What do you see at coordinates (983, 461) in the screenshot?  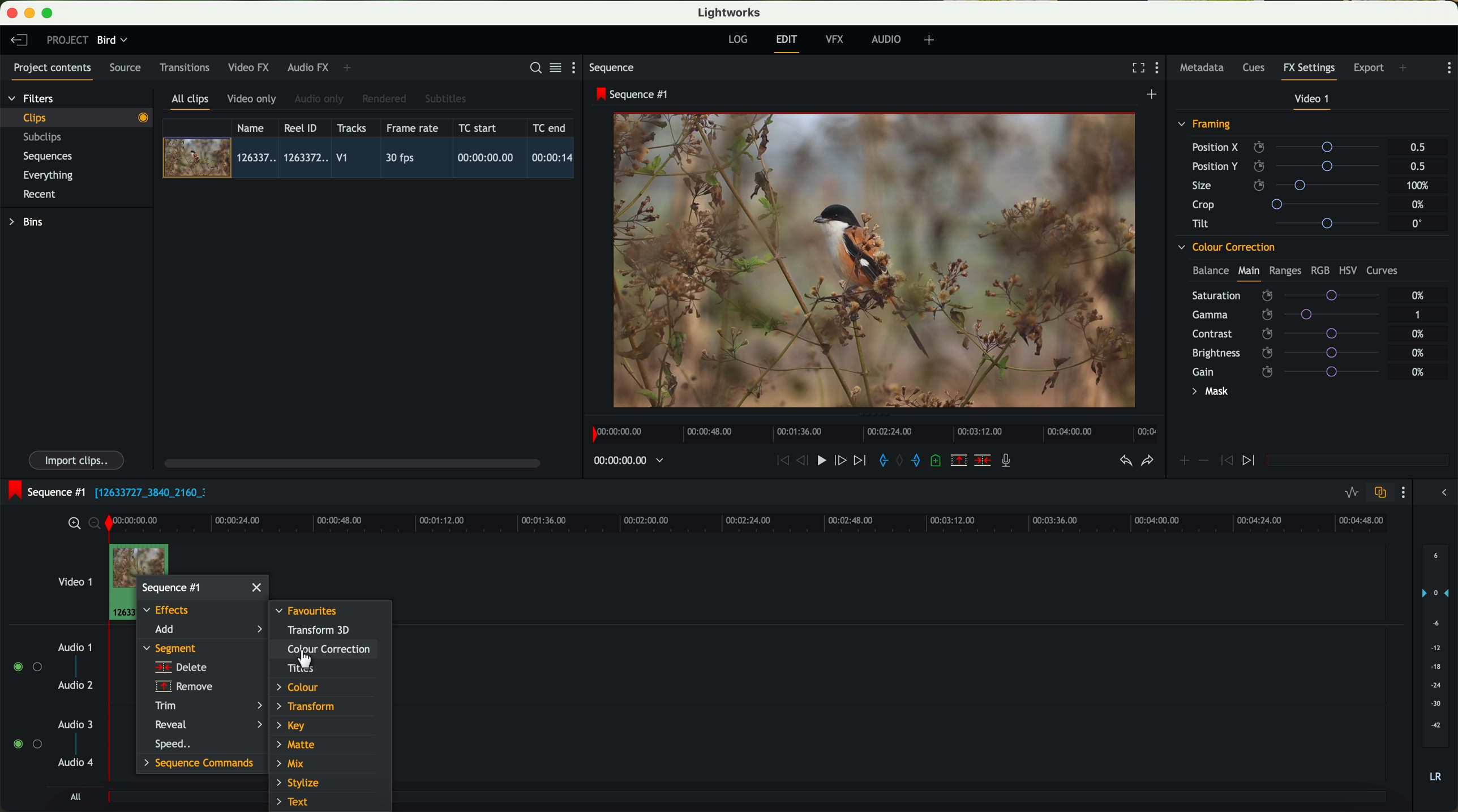 I see `delete/cut` at bounding box center [983, 461].